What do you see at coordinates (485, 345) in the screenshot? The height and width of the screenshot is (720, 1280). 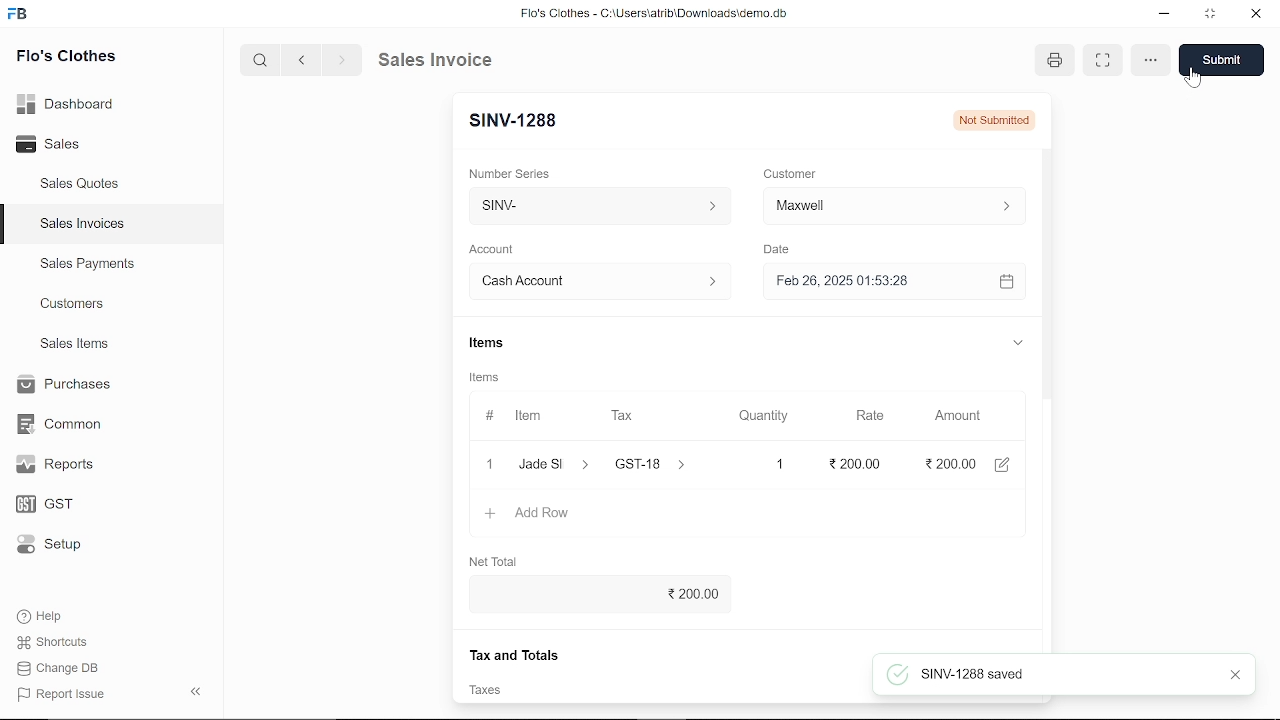 I see `Items` at bounding box center [485, 345].